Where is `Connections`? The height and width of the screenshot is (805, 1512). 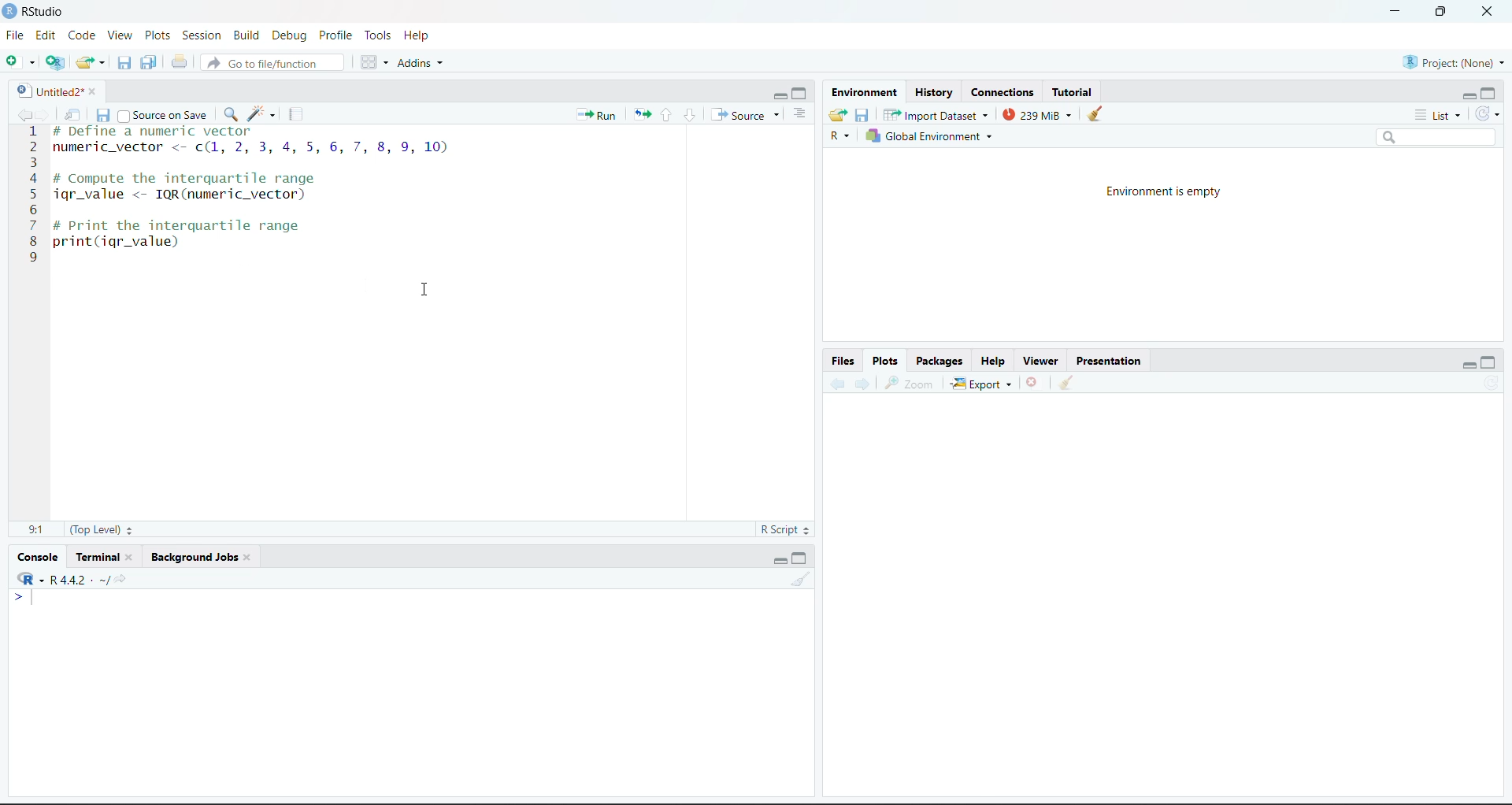 Connections is located at coordinates (1002, 93).